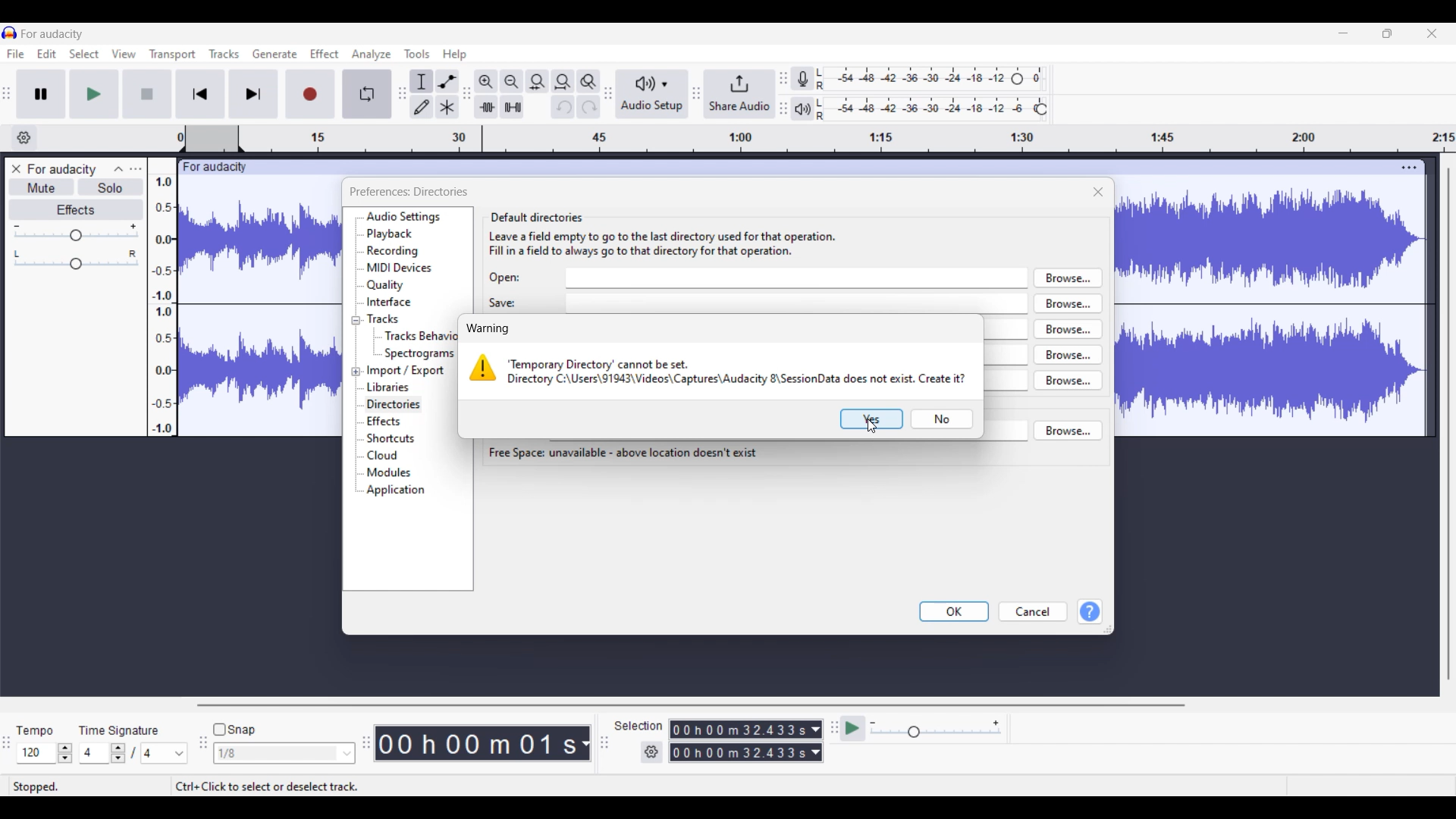  Describe the element at coordinates (173, 55) in the screenshot. I see `Transport menu` at that location.